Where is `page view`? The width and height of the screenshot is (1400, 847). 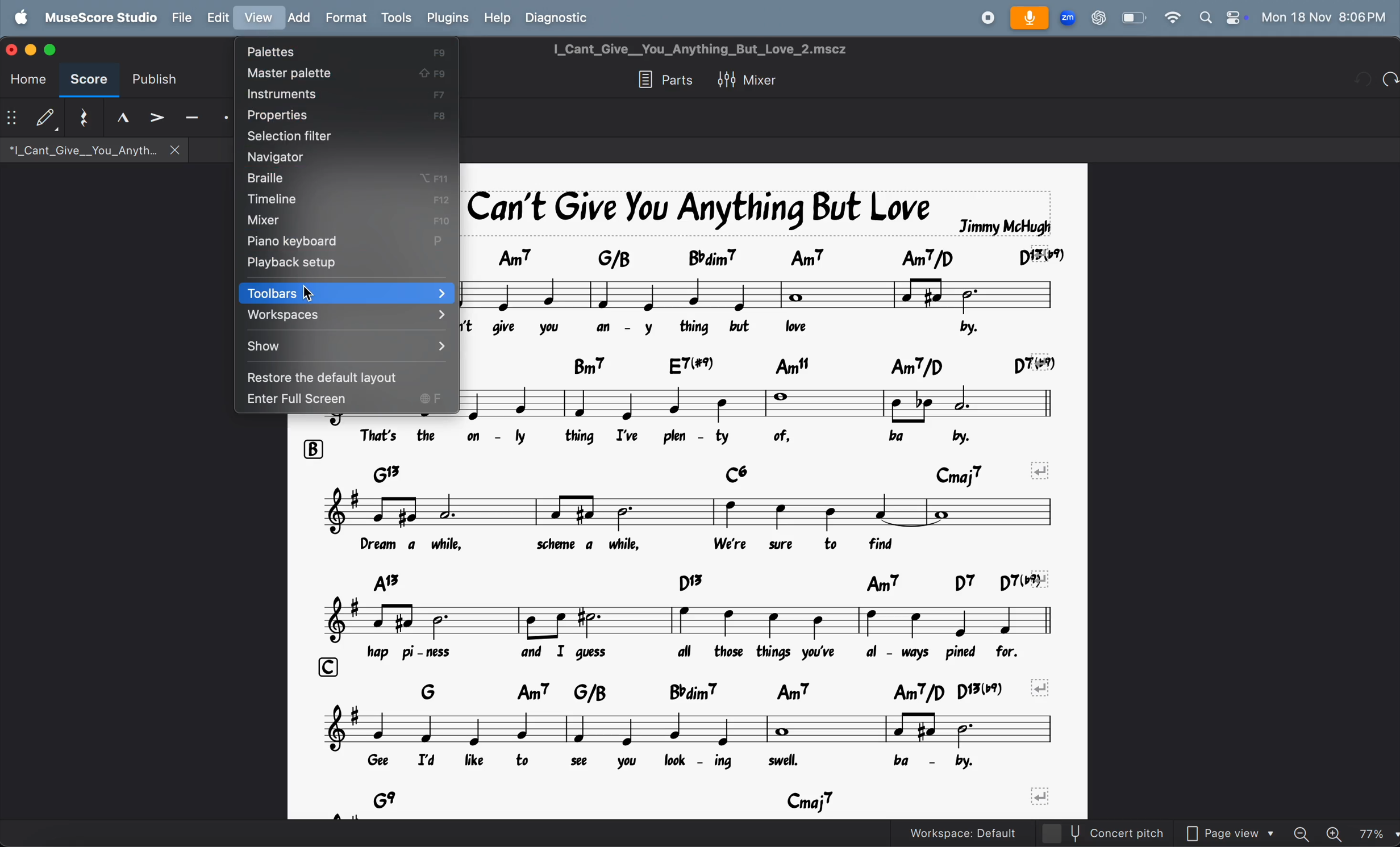 page view is located at coordinates (1226, 834).